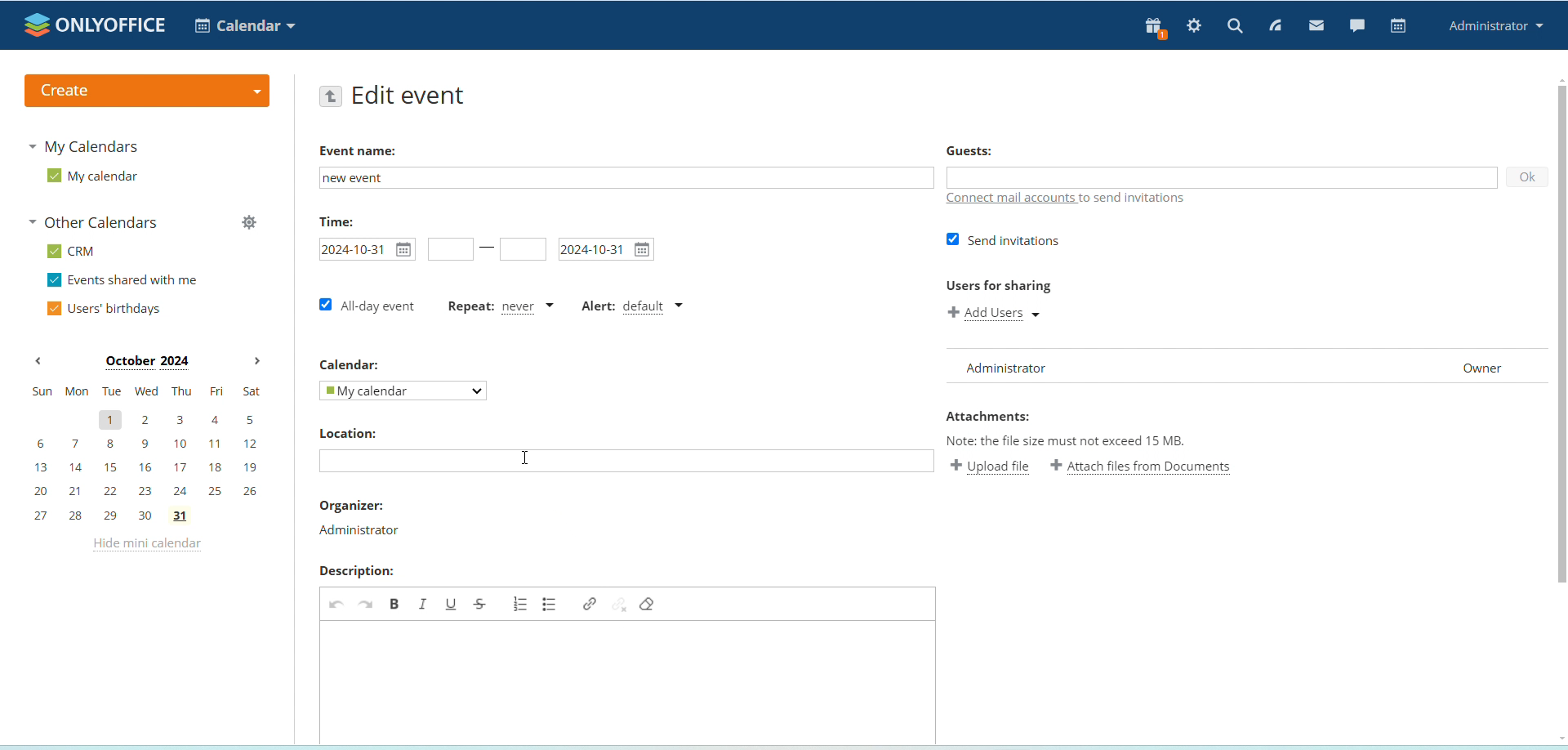 Image resolution: width=1568 pixels, height=750 pixels. I want to click on logo, so click(96, 25).